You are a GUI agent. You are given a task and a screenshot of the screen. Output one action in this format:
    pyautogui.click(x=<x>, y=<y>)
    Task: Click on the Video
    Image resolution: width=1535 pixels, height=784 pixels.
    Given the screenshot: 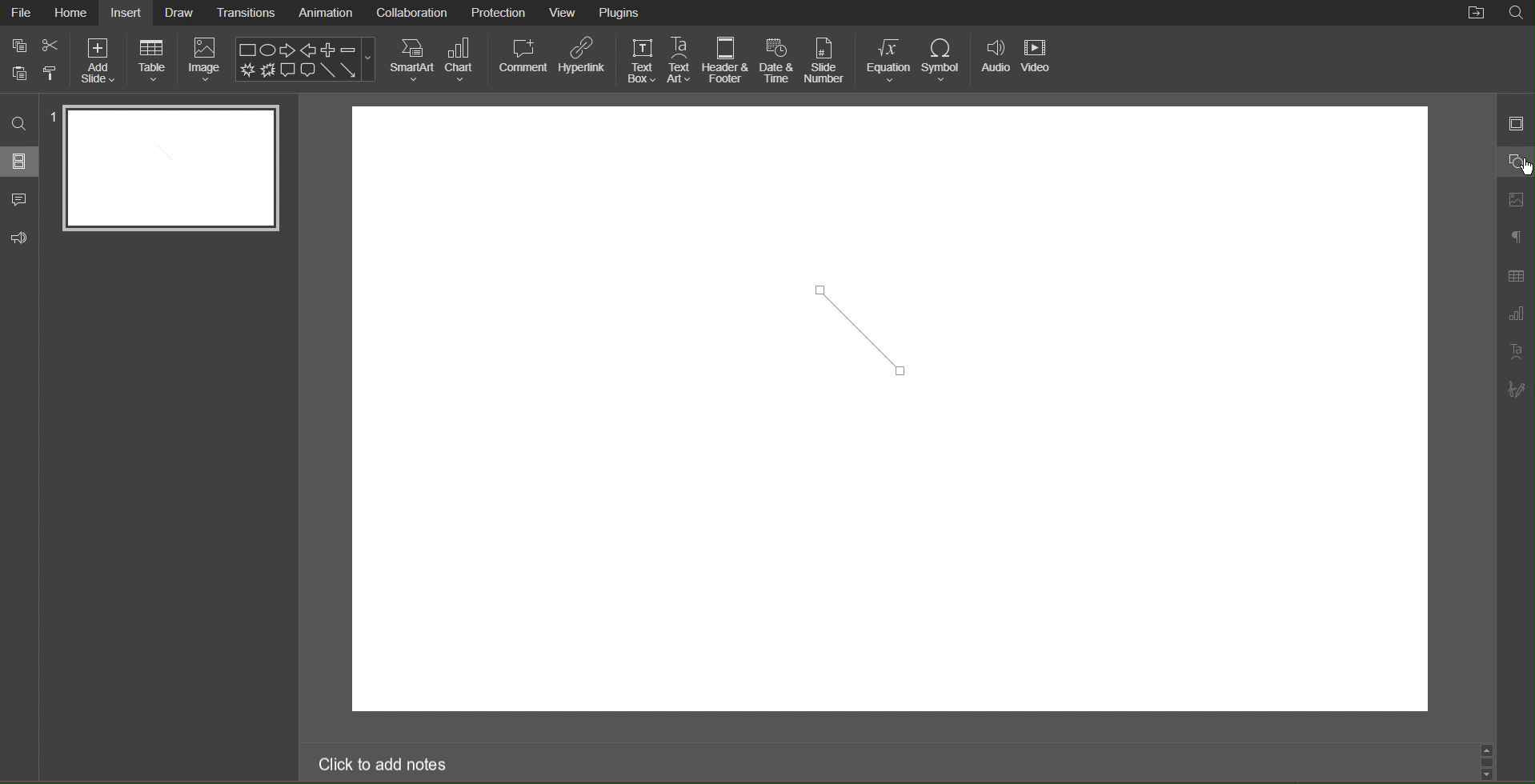 What is the action you would take?
    pyautogui.click(x=1040, y=59)
    